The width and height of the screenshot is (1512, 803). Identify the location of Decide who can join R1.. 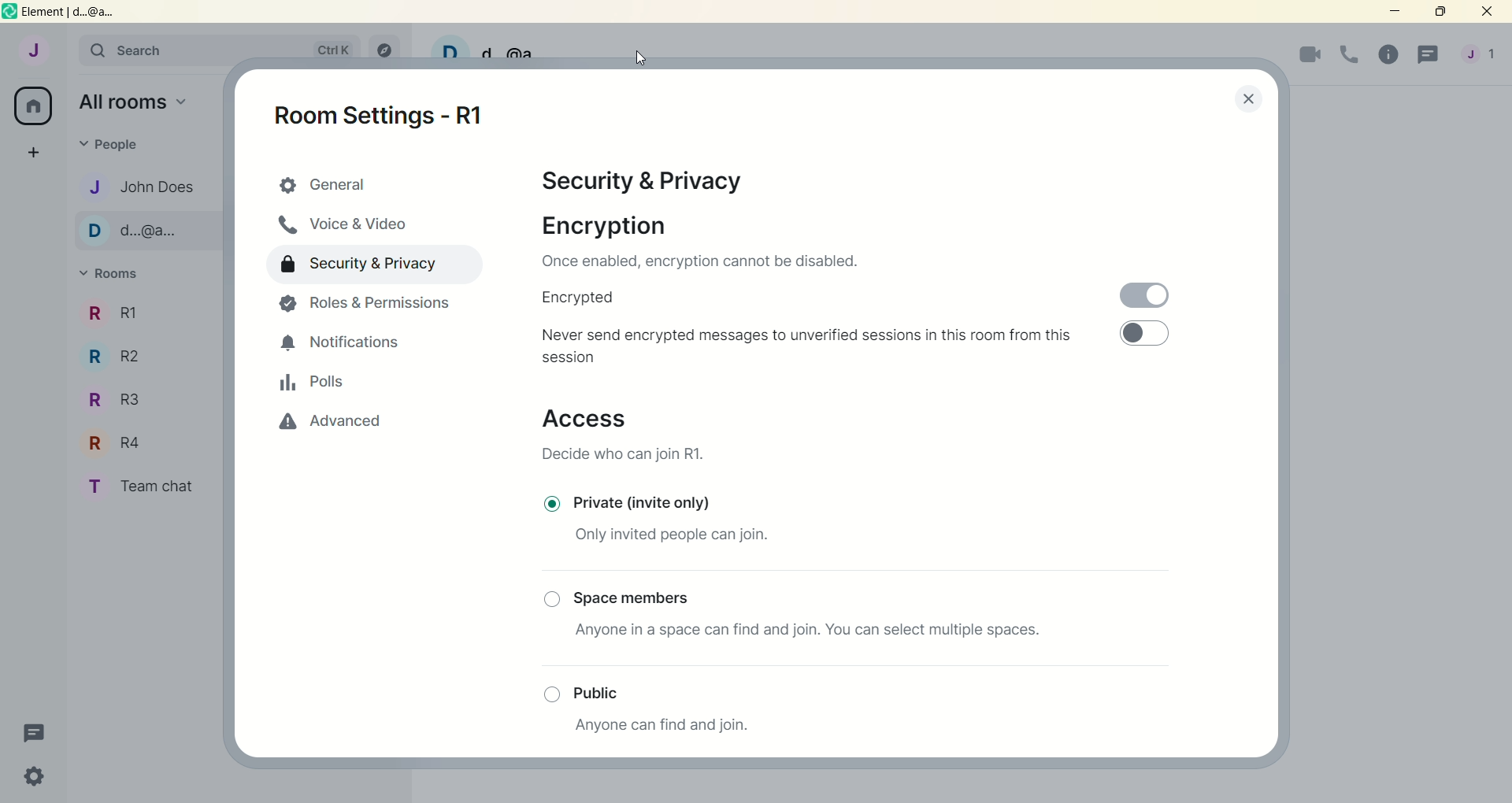
(626, 453).